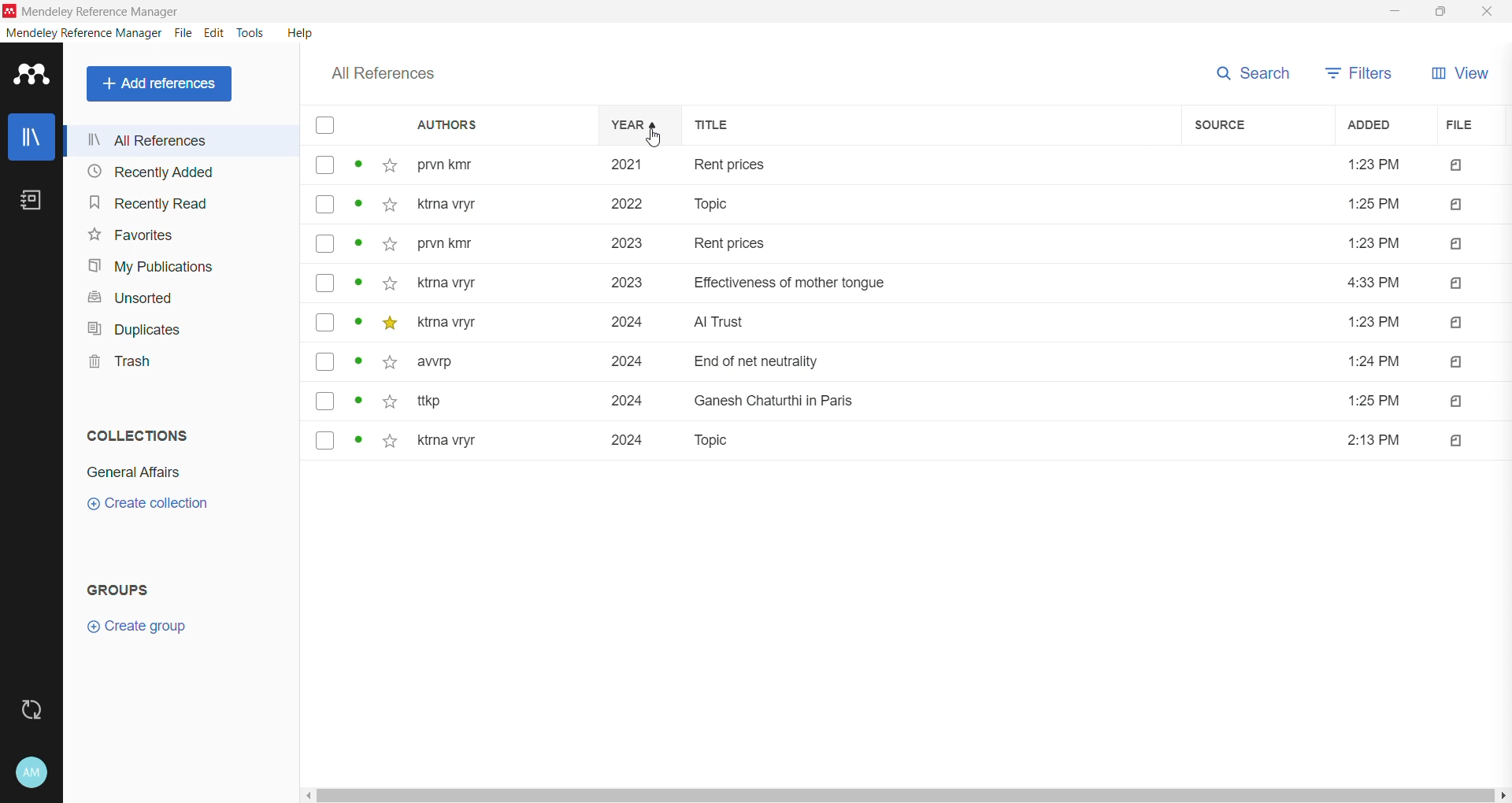  Describe the element at coordinates (391, 166) in the screenshot. I see `click to add to favorites` at that location.